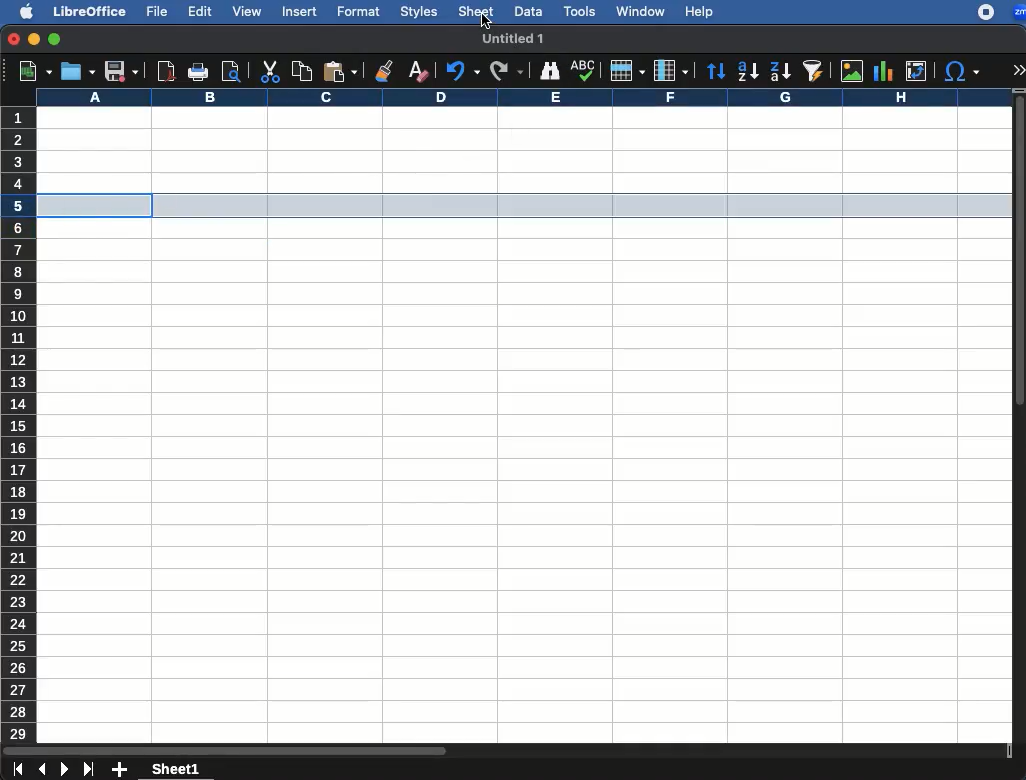 The width and height of the screenshot is (1026, 780). I want to click on format, so click(359, 12).